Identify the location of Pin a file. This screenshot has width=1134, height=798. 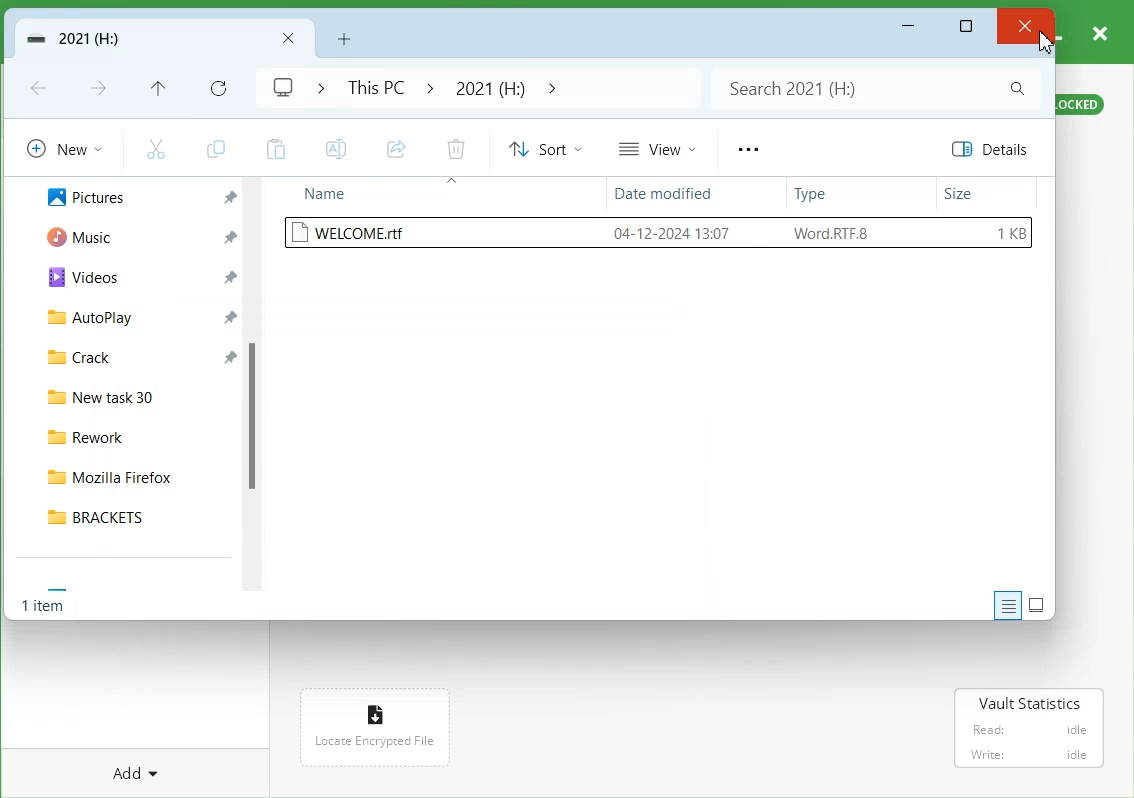
(230, 356).